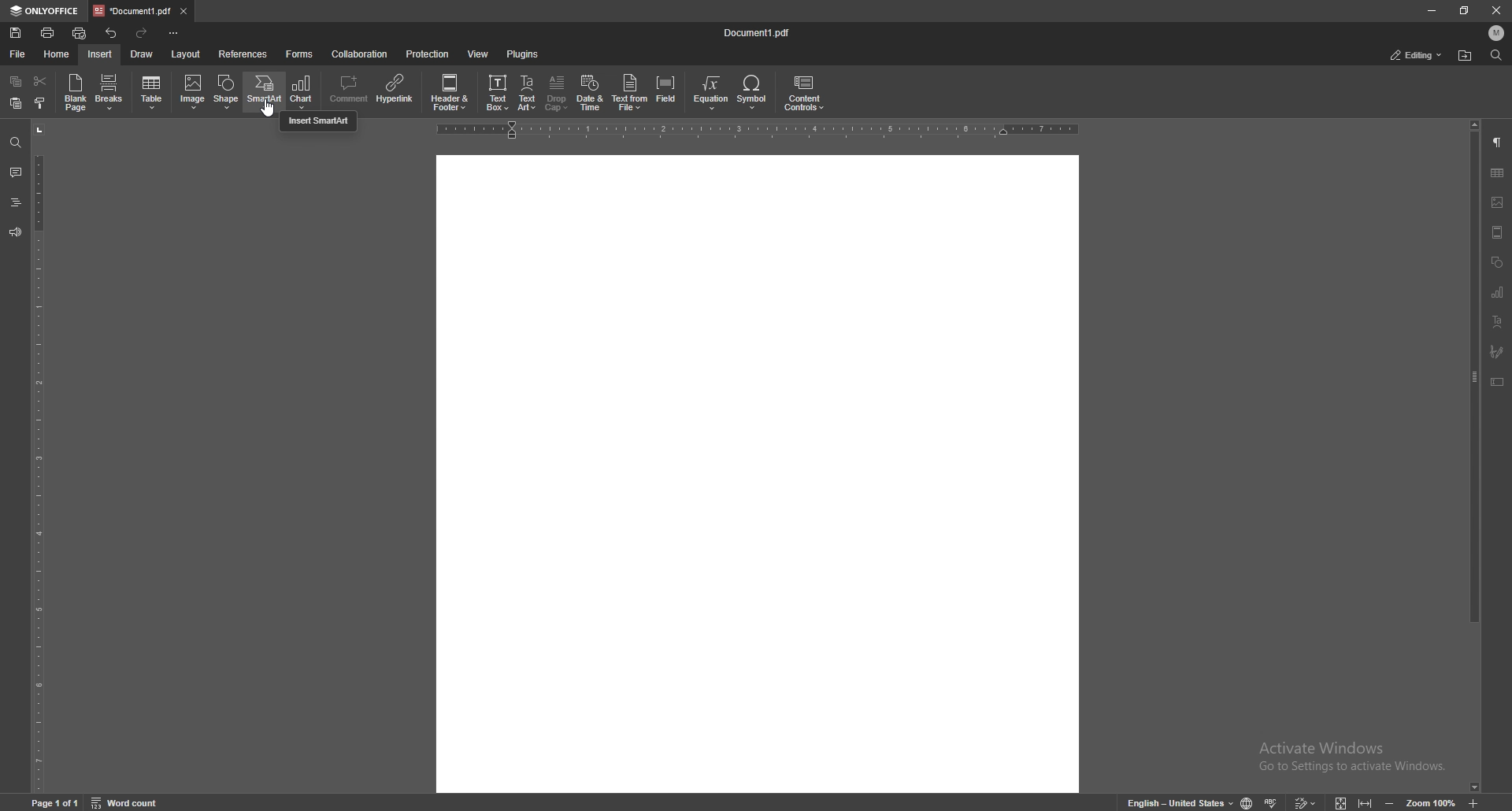 The width and height of the screenshot is (1512, 811). Describe the element at coordinates (243, 54) in the screenshot. I see `references` at that location.